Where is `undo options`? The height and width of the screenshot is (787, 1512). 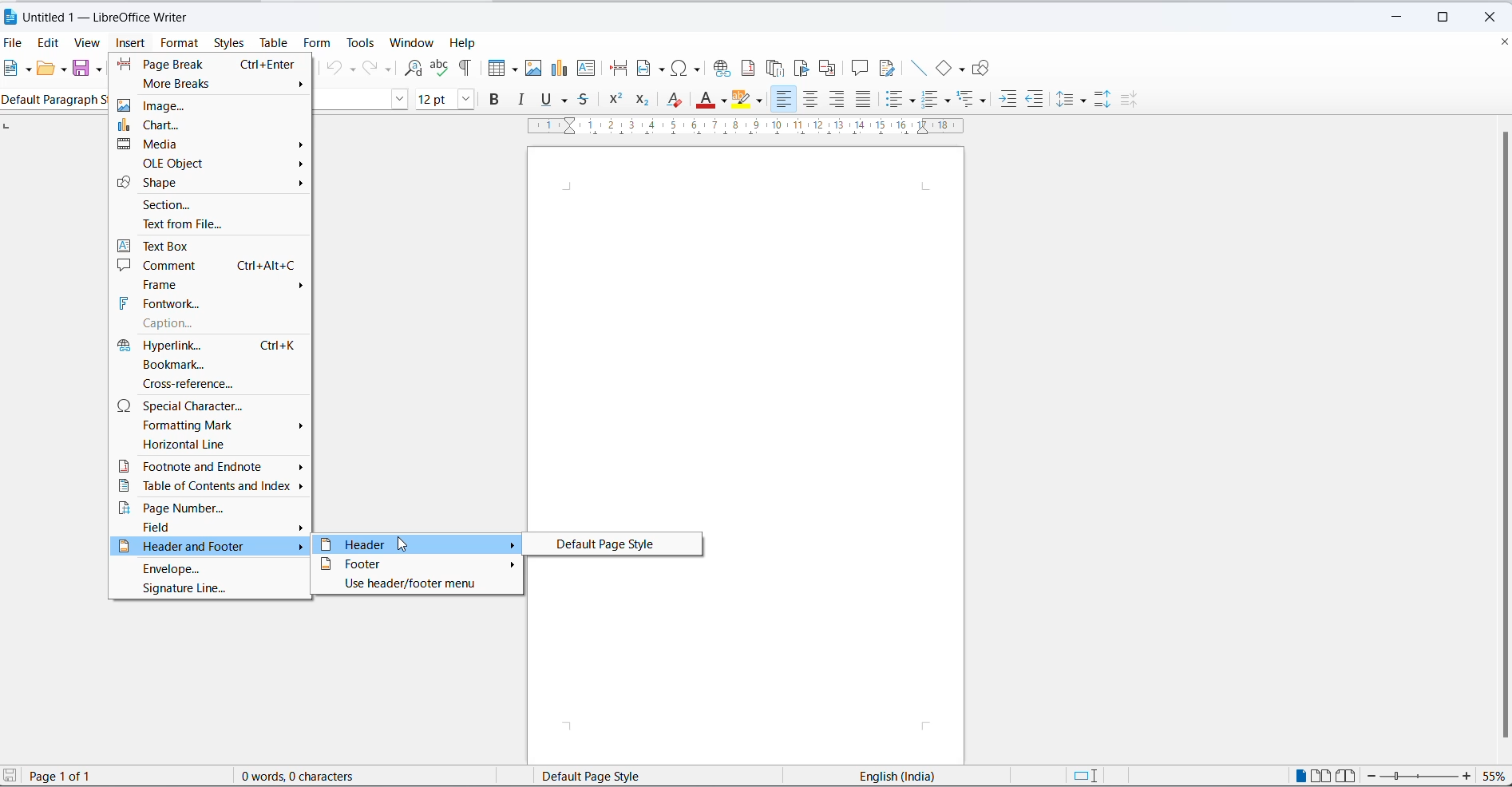
undo options is located at coordinates (352, 69).